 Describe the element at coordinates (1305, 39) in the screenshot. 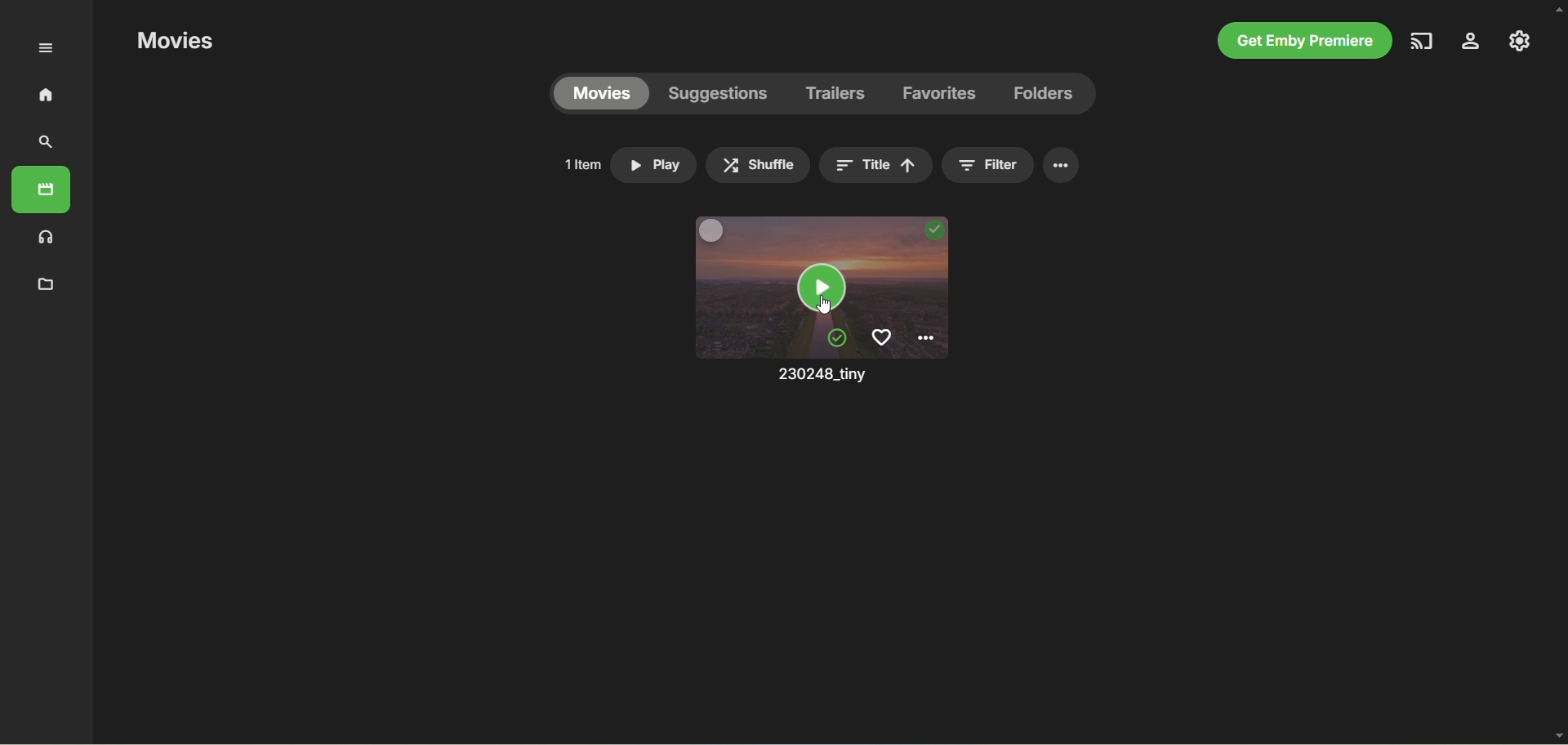

I see `get emby premiere` at that location.